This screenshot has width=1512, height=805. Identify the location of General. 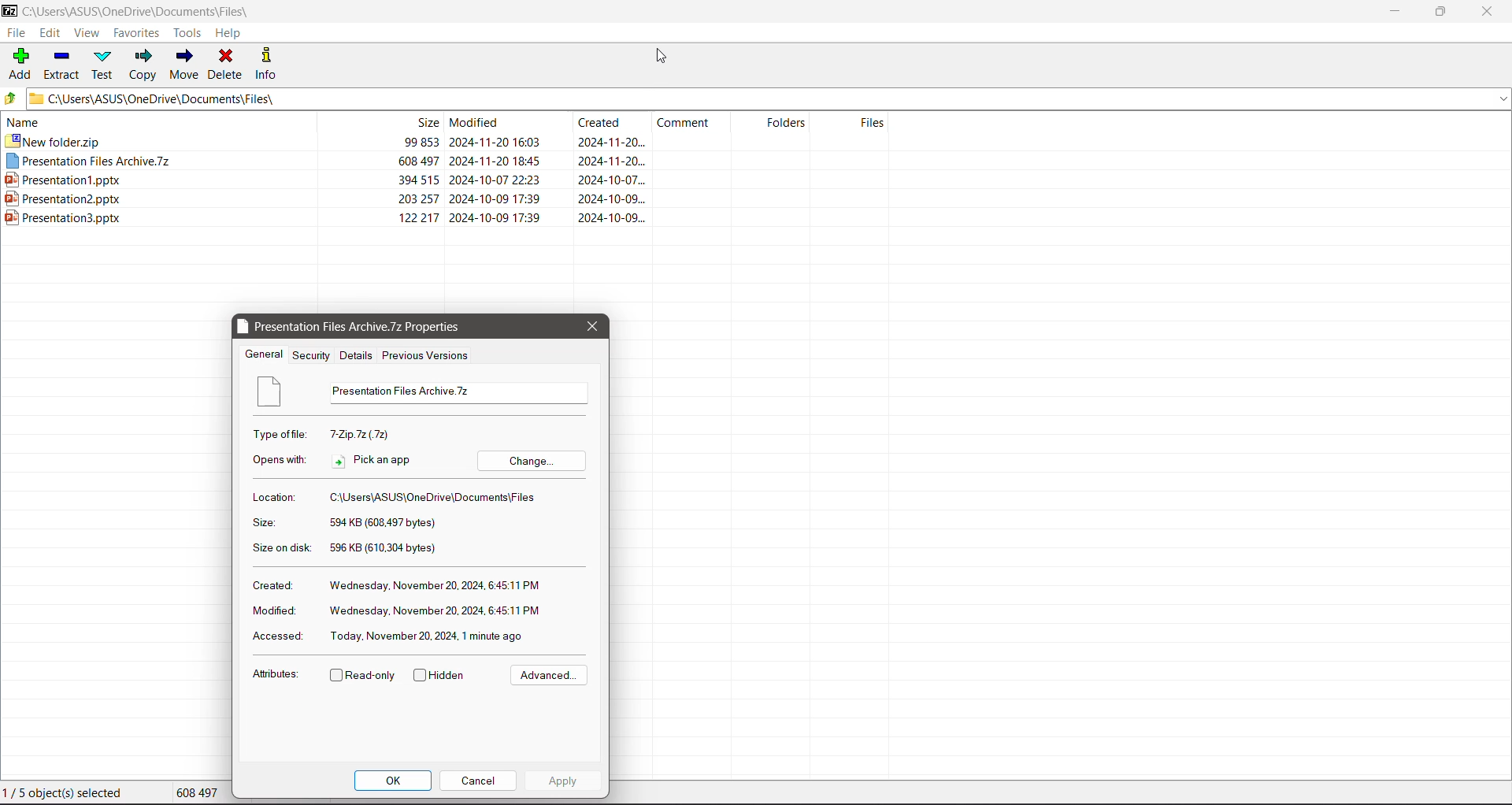
(265, 354).